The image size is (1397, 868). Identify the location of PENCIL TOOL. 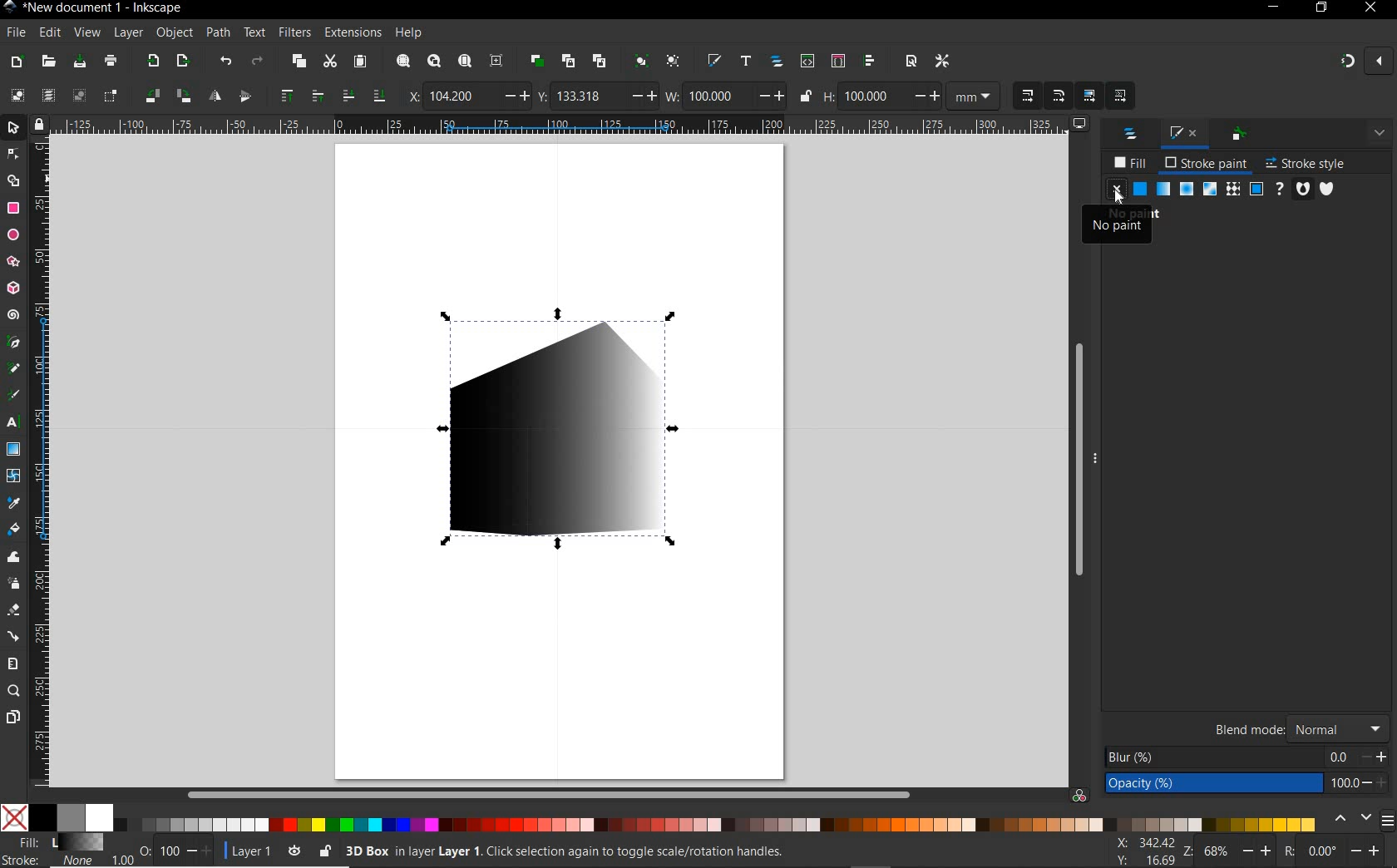
(14, 370).